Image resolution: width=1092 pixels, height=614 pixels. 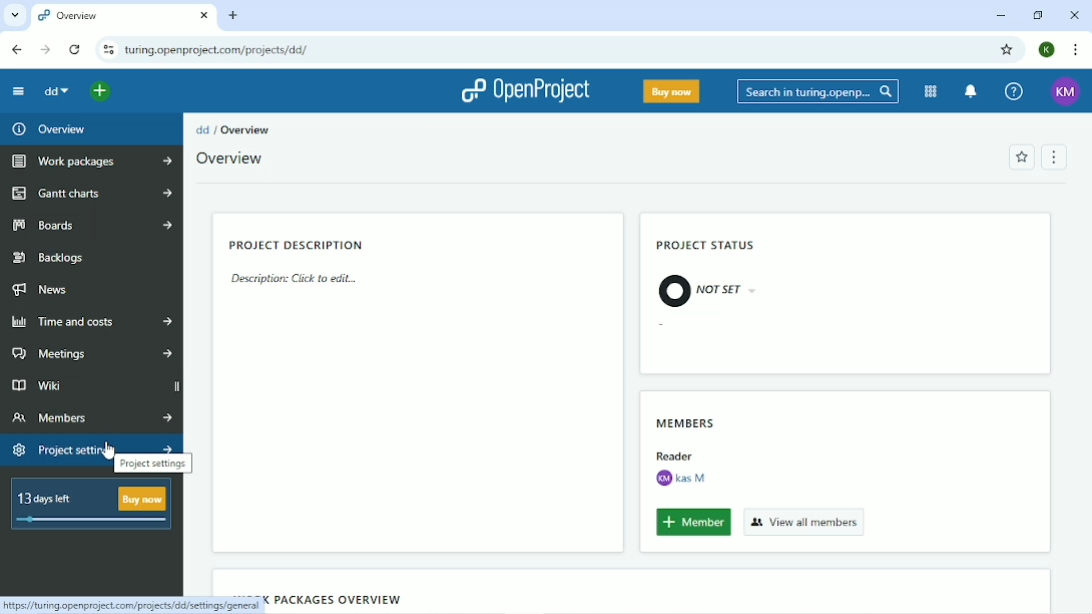 What do you see at coordinates (526, 90) in the screenshot?
I see `OpenProject` at bounding box center [526, 90].